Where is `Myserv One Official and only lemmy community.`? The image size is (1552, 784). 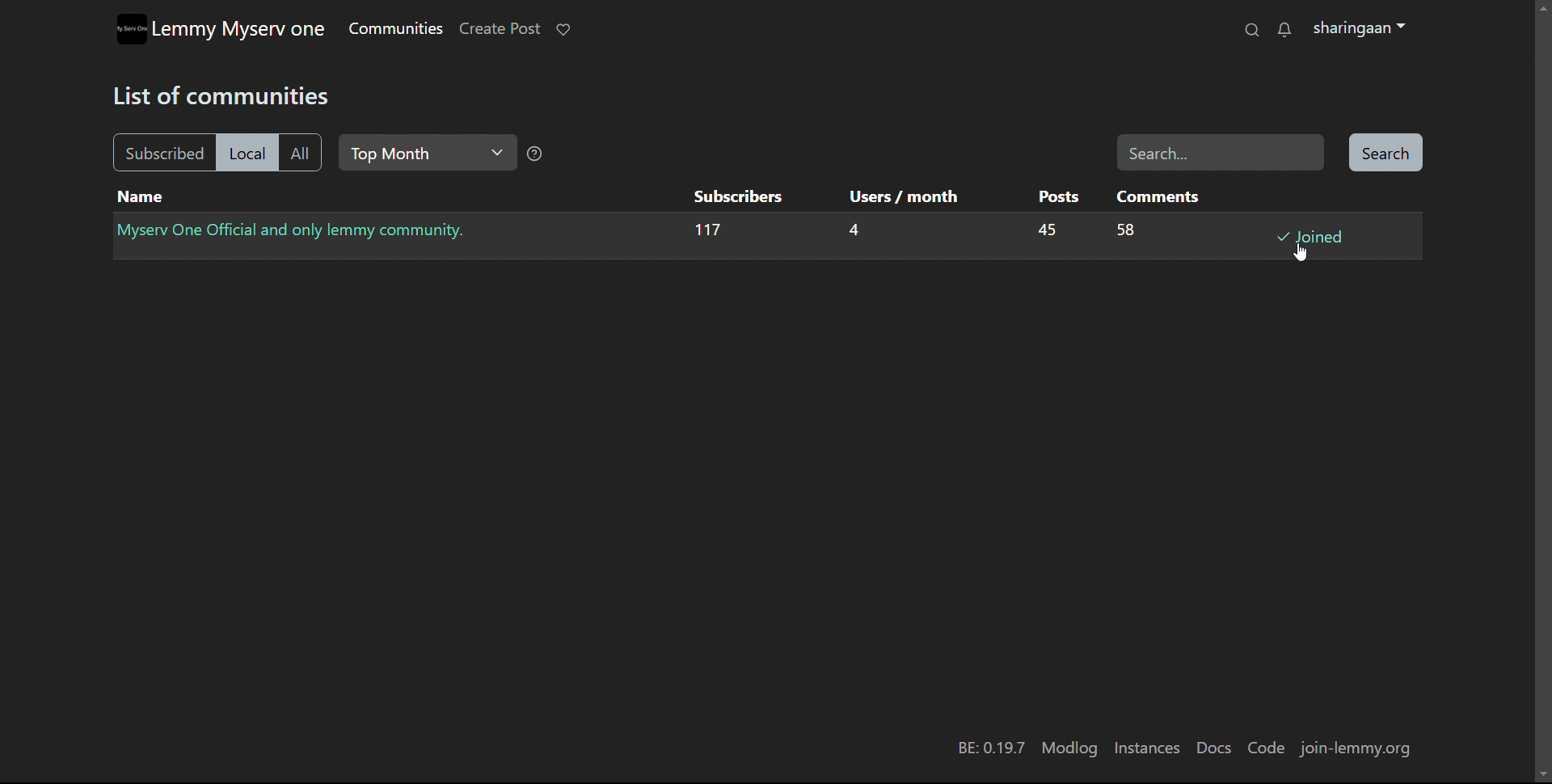 Myserv One Official and only lemmy community. is located at coordinates (296, 230).